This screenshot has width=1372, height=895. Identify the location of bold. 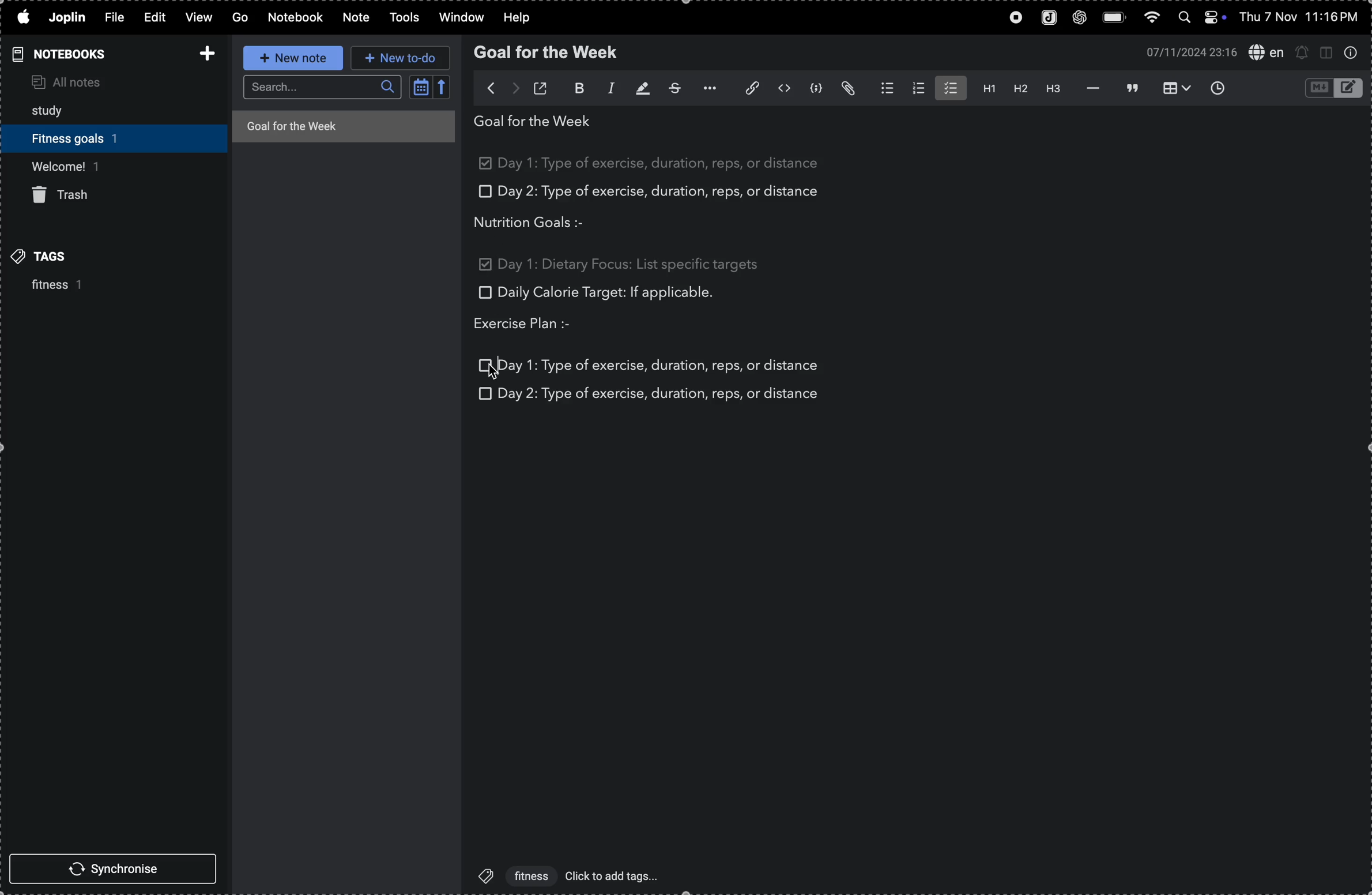
(572, 89).